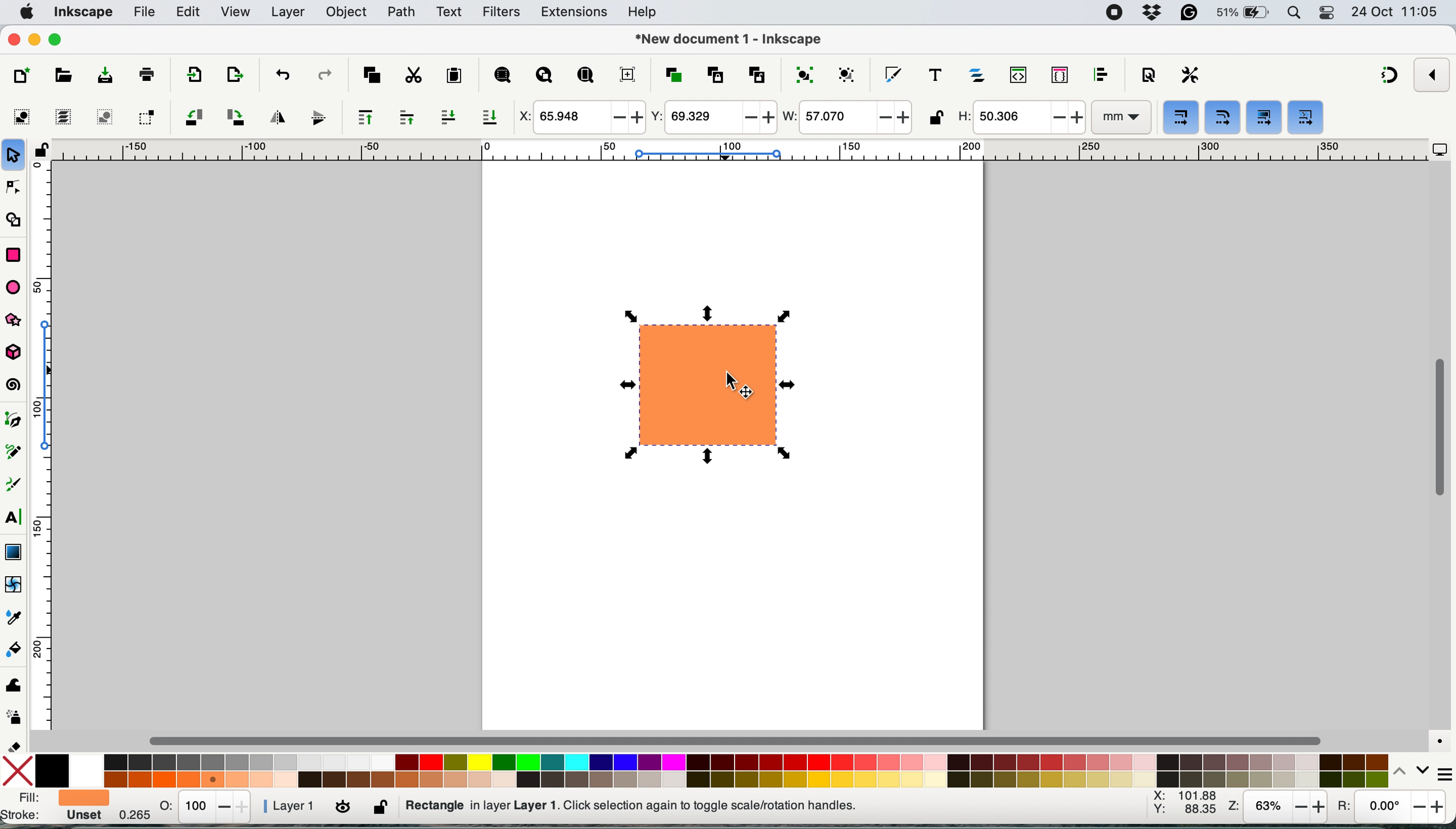 The width and height of the screenshot is (1456, 829). What do you see at coordinates (1438, 771) in the screenshot?
I see `more settings` at bounding box center [1438, 771].